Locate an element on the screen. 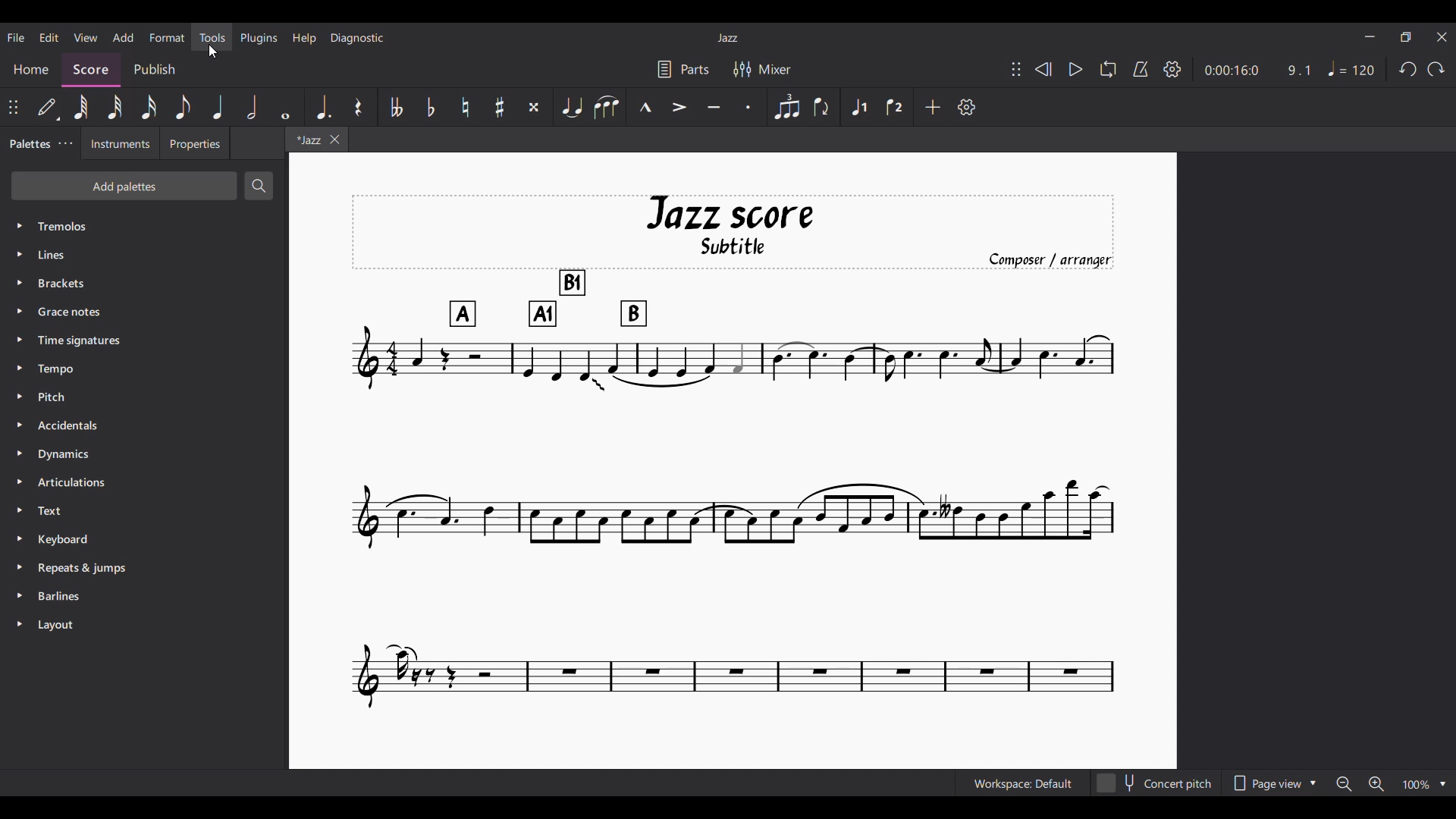 Image resolution: width=1456 pixels, height=819 pixels. Toggle double flat is located at coordinates (396, 107).